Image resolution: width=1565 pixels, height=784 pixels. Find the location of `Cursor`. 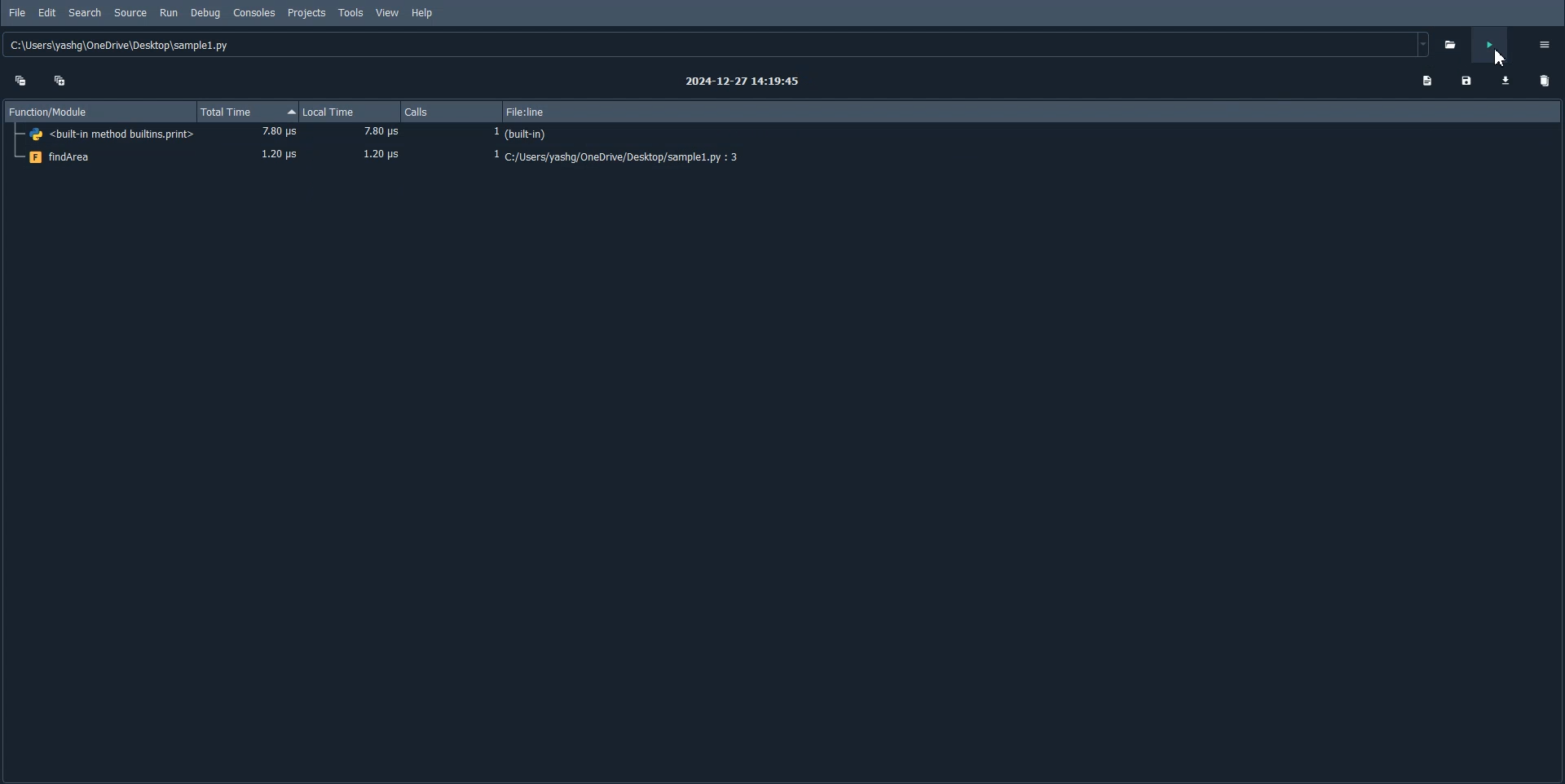

Cursor is located at coordinates (1494, 55).